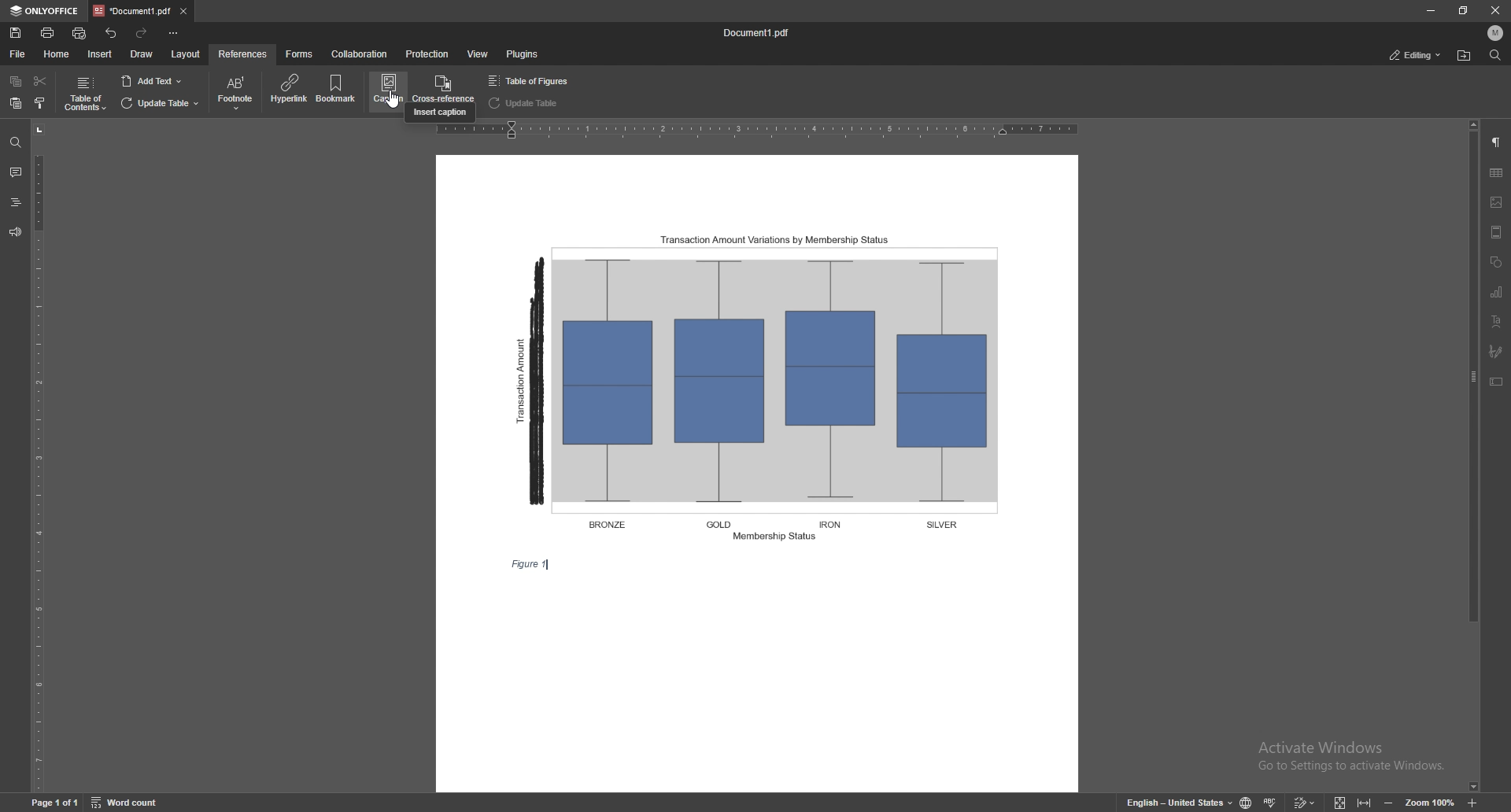  I want to click on collaboration, so click(360, 54).